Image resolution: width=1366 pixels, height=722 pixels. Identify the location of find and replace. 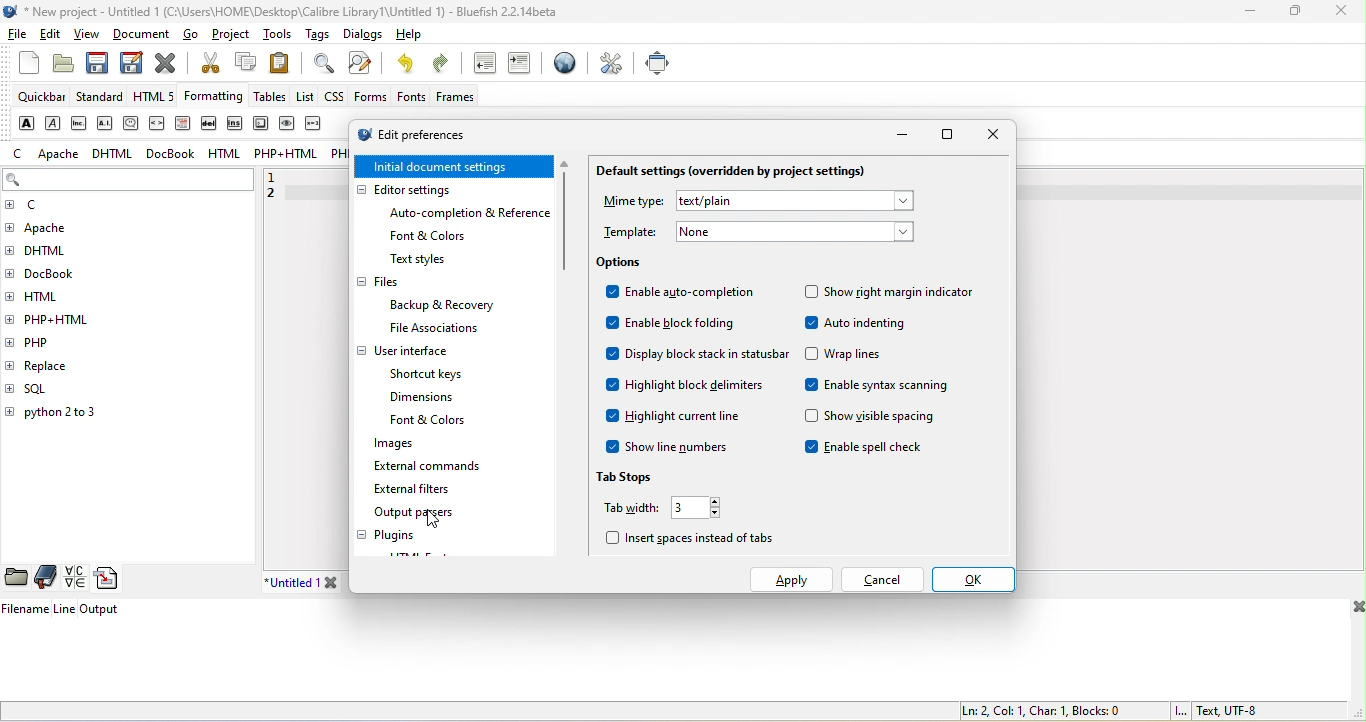
(365, 64).